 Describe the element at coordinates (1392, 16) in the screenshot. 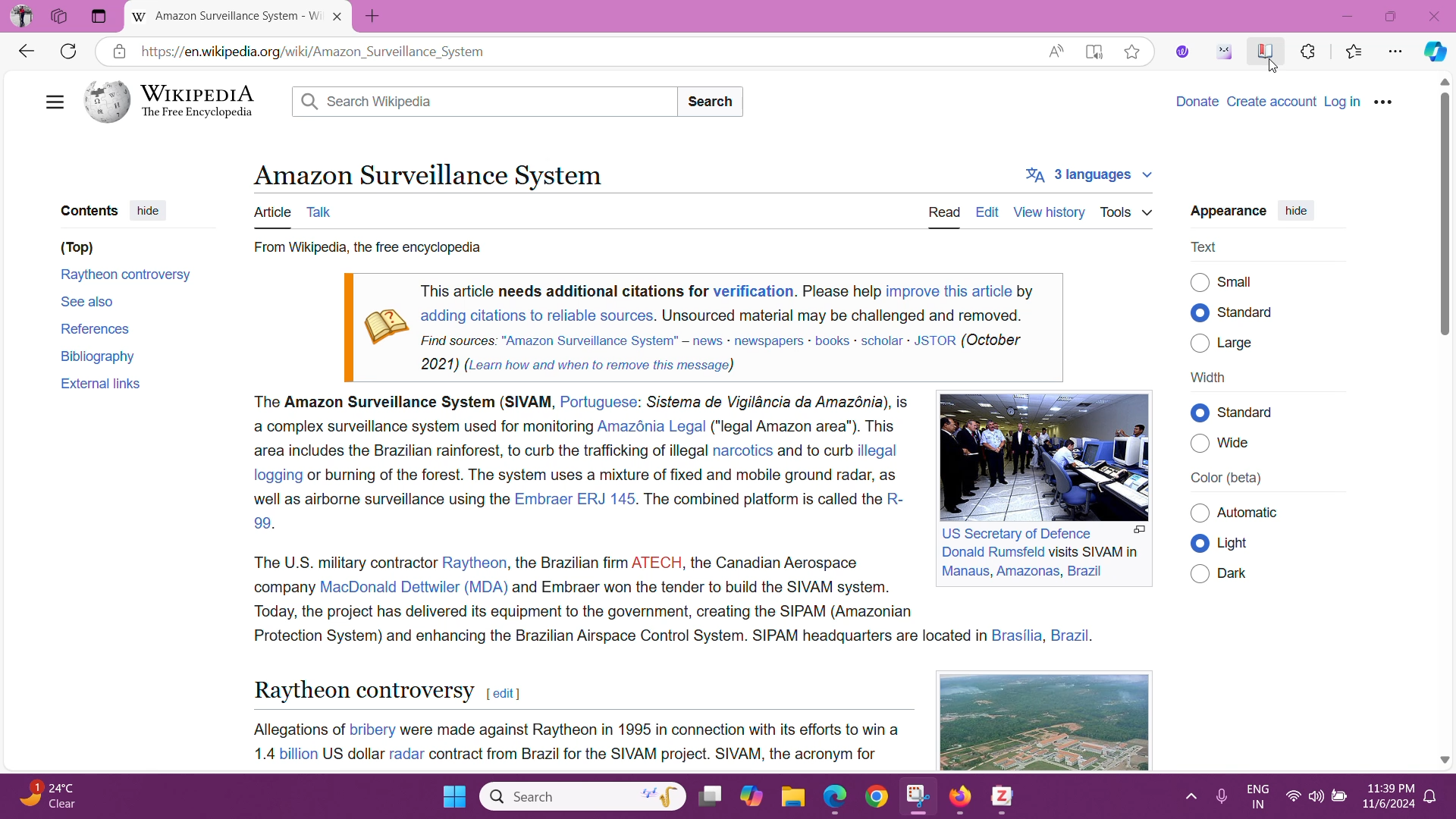

I see `Restore Down` at that location.